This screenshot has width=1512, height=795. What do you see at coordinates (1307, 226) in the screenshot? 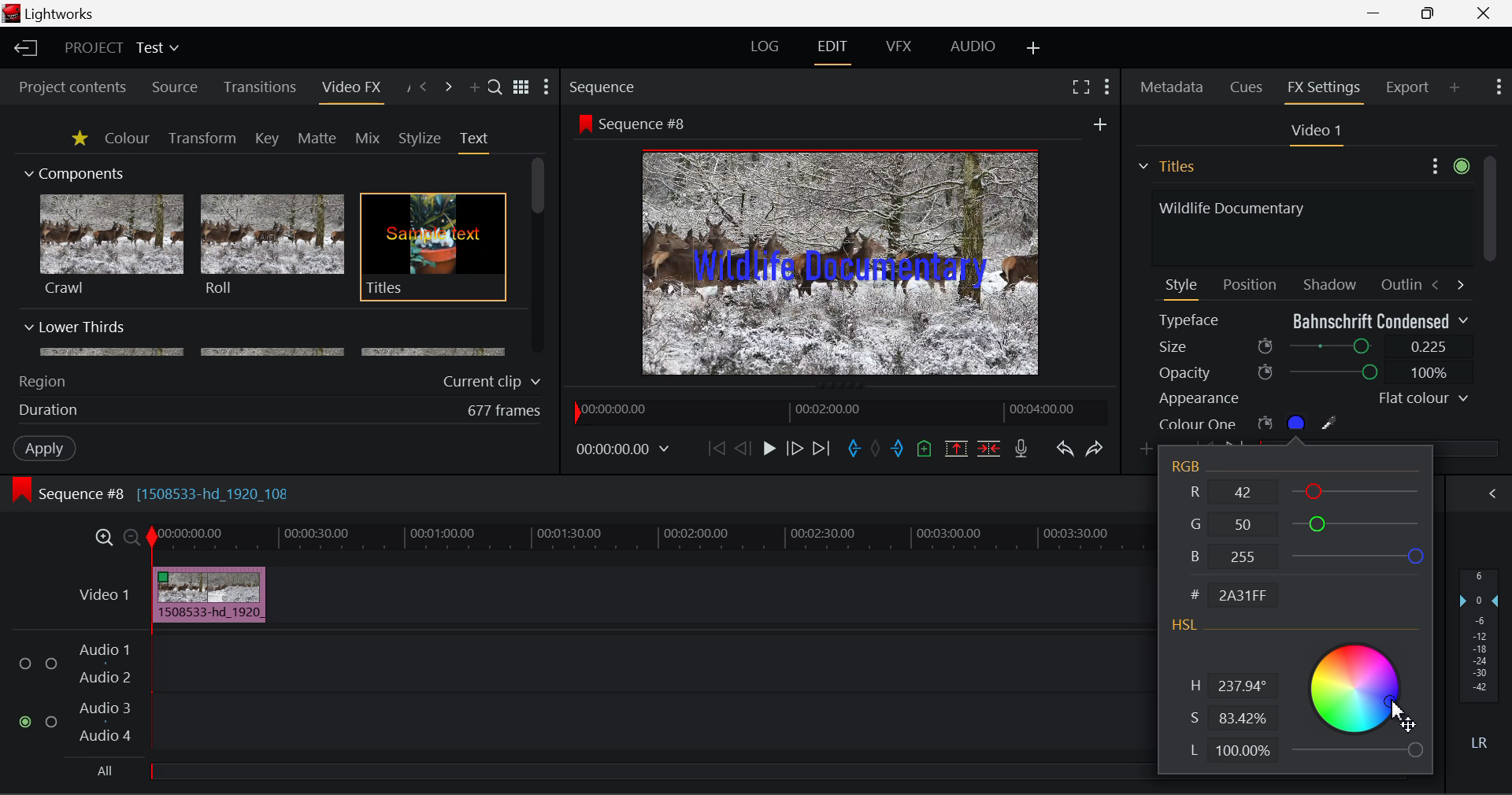
I see `Text Input Field` at bounding box center [1307, 226].